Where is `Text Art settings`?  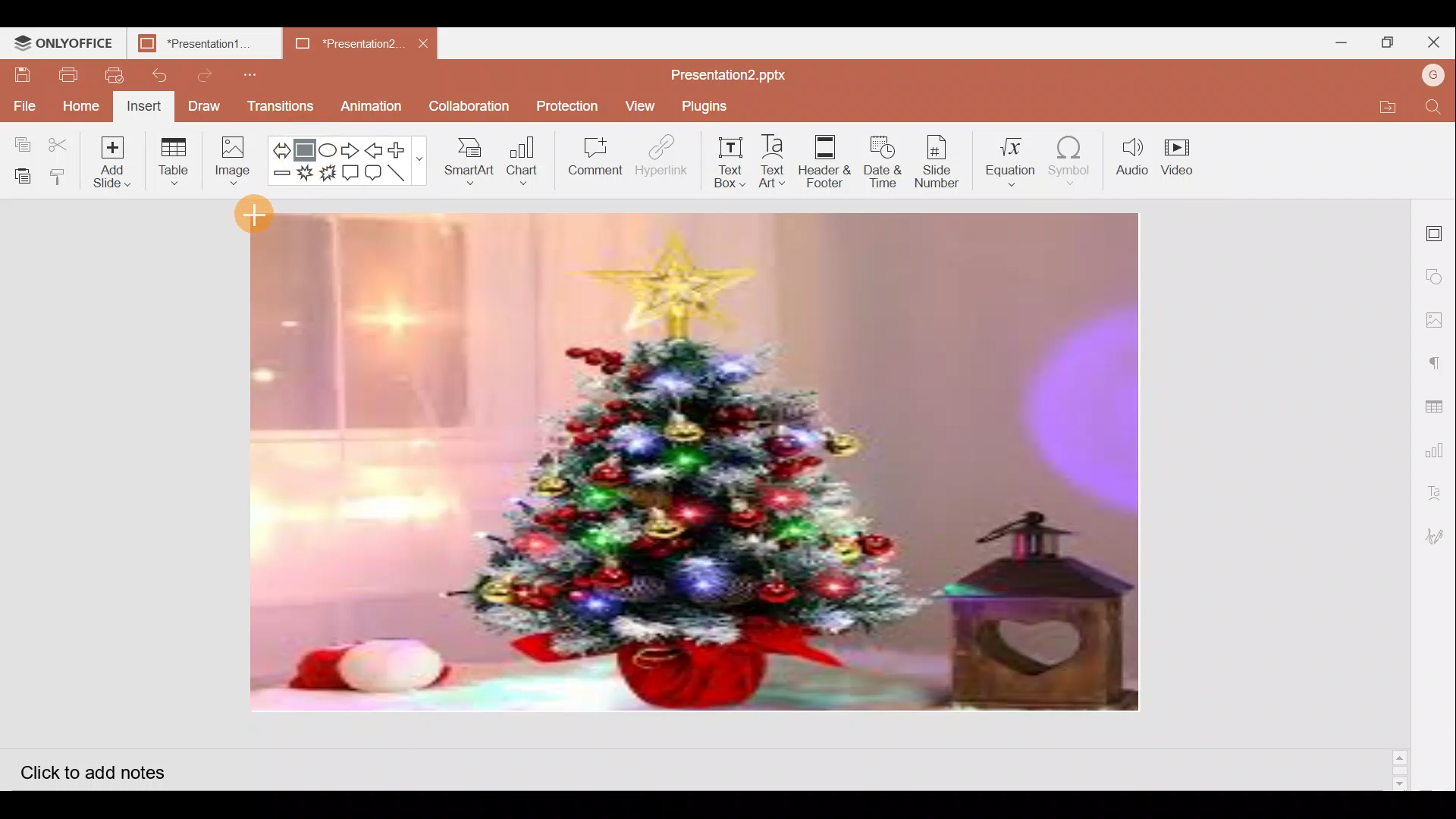
Text Art settings is located at coordinates (1441, 490).